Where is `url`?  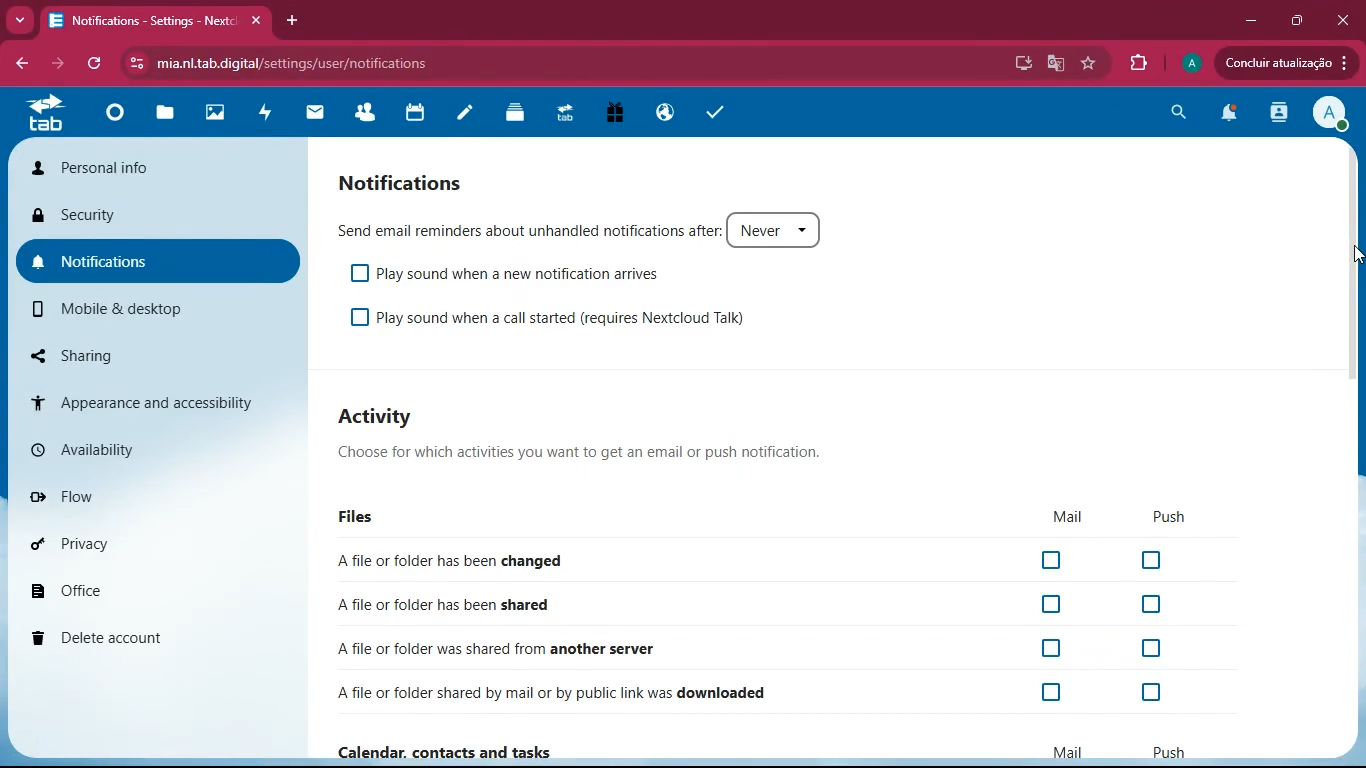 url is located at coordinates (336, 63).